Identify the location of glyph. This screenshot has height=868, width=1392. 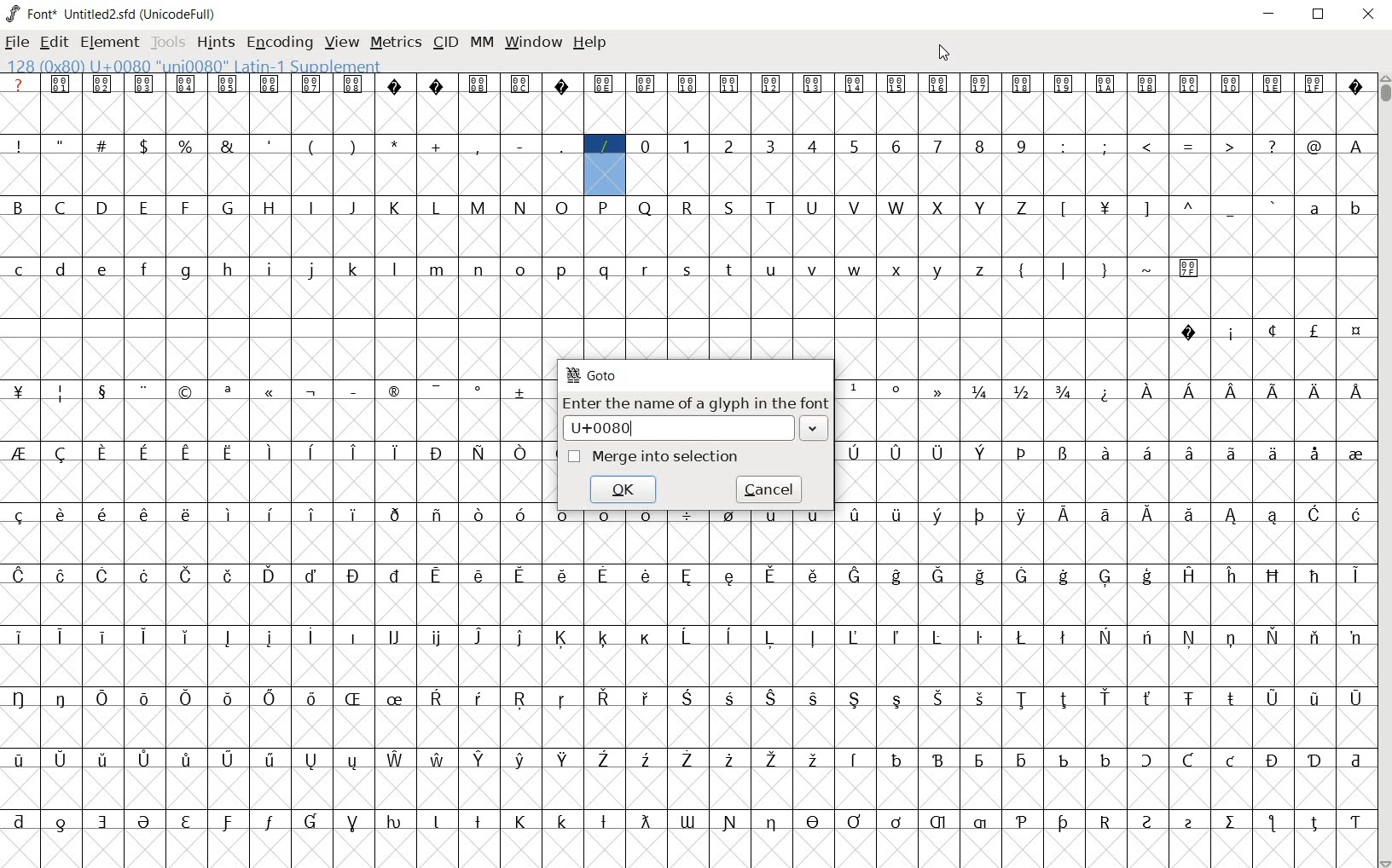
(855, 207).